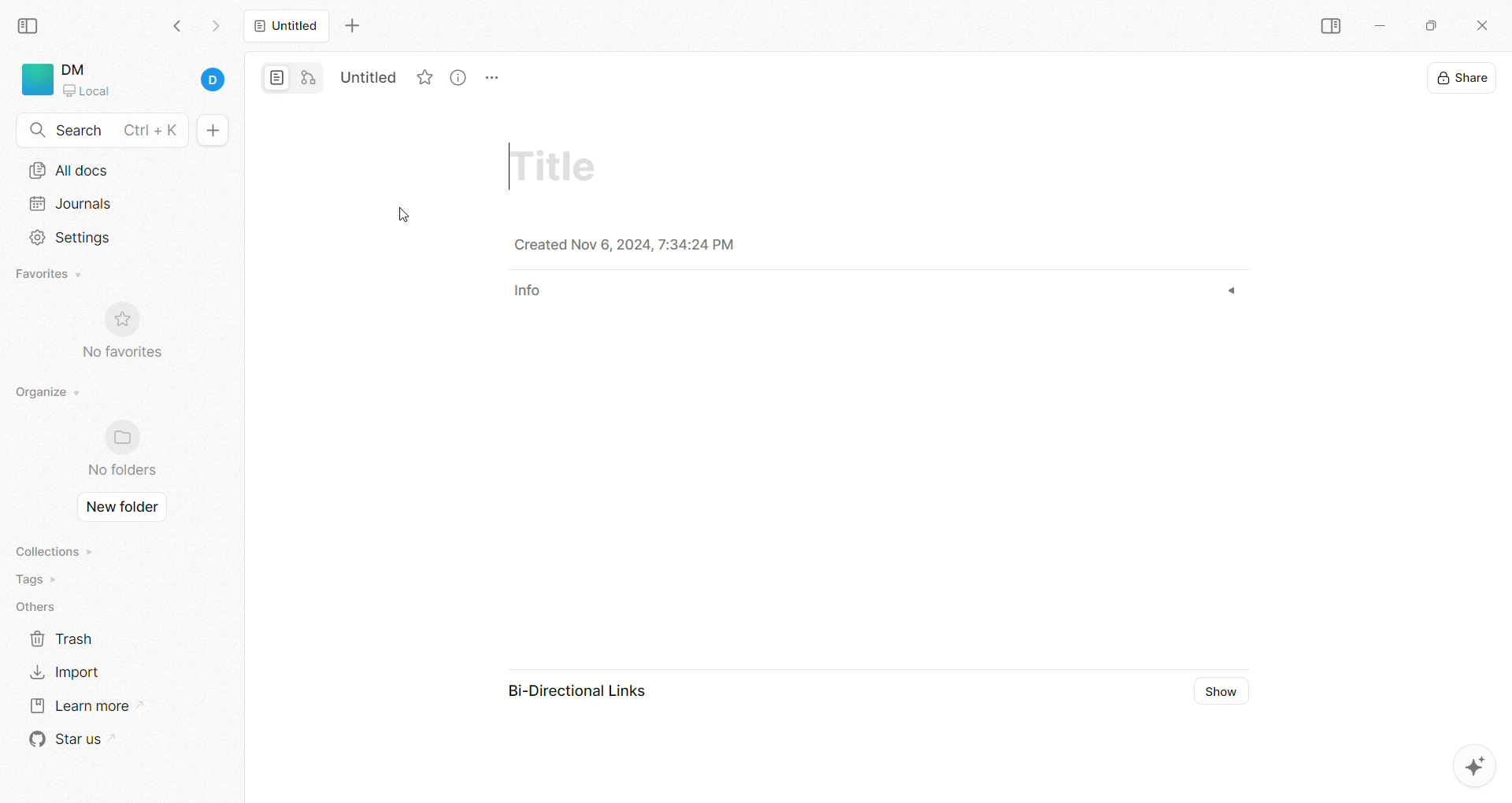 The width and height of the screenshot is (1512, 803). Describe the element at coordinates (309, 77) in the screenshot. I see `edgeless mode` at that location.